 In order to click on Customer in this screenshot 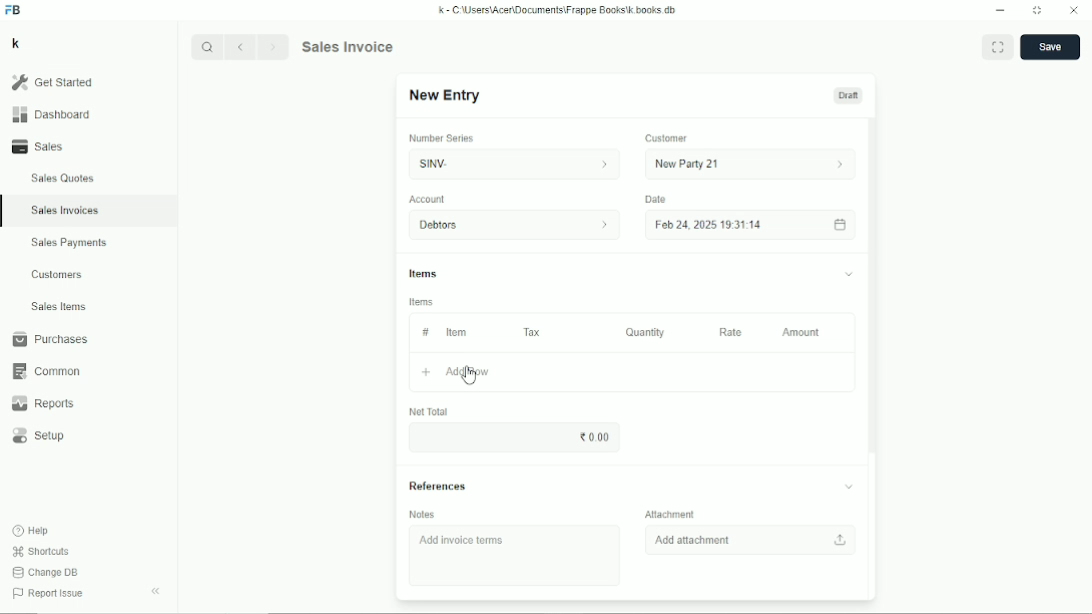, I will do `click(667, 139)`.